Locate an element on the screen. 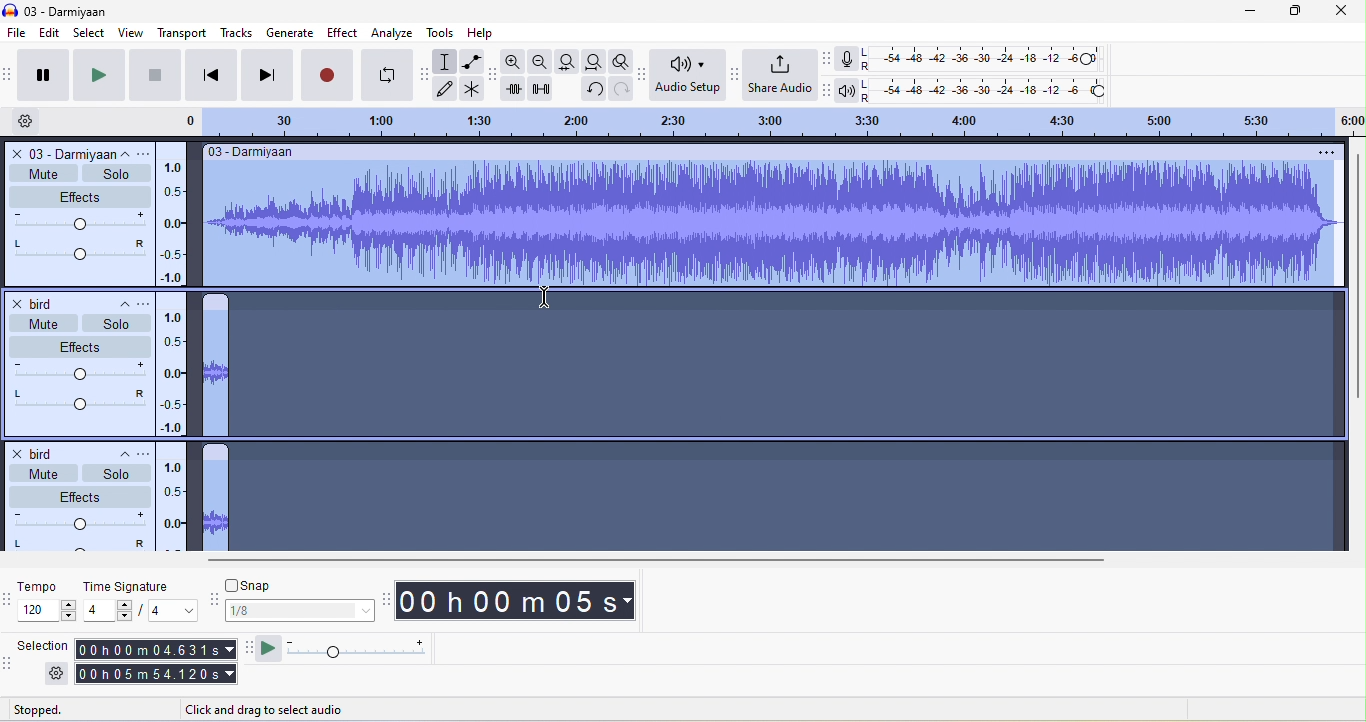 This screenshot has width=1366, height=722. volume is located at coordinates (76, 222).